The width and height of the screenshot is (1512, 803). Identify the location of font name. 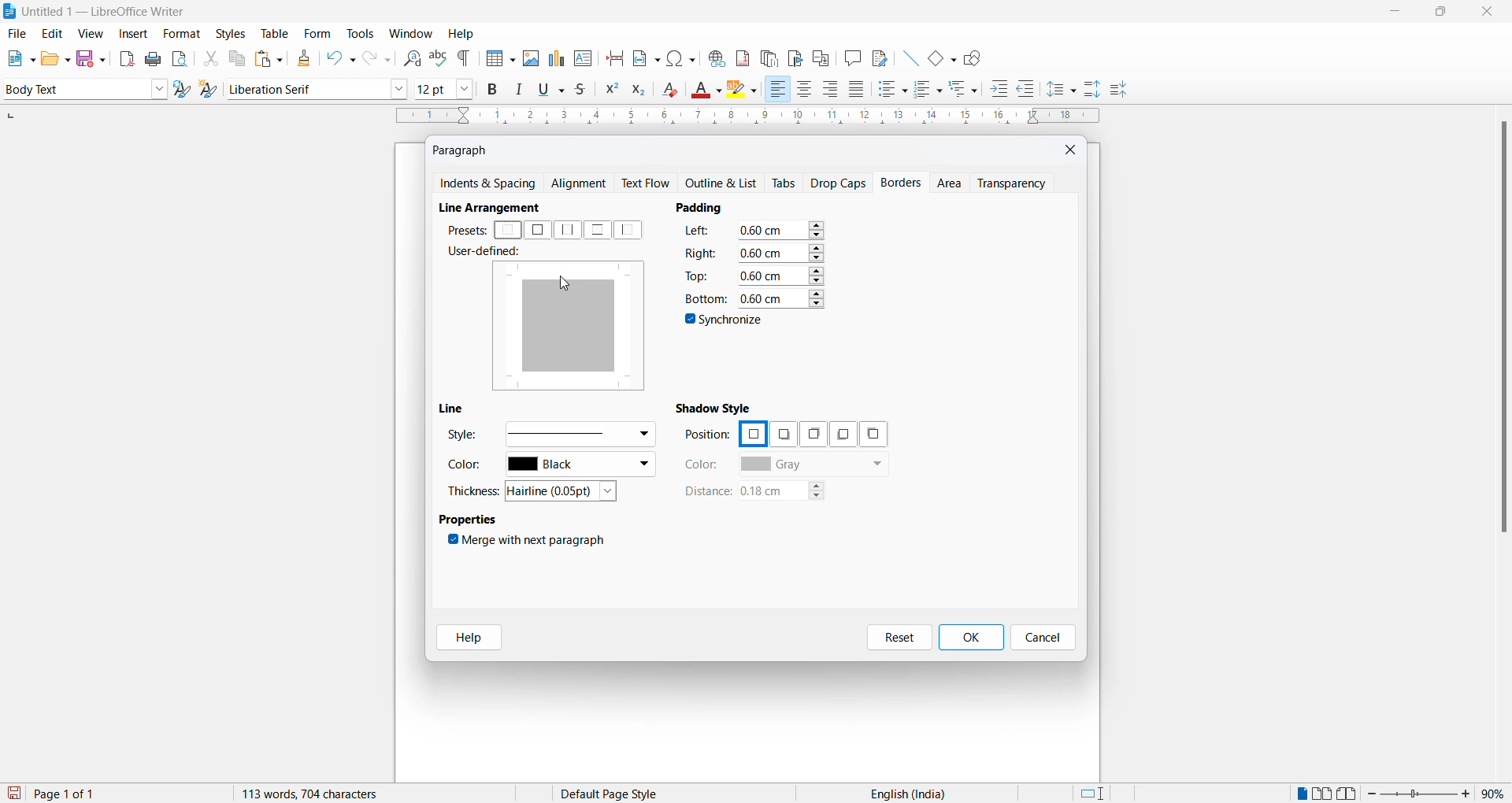
(306, 88).